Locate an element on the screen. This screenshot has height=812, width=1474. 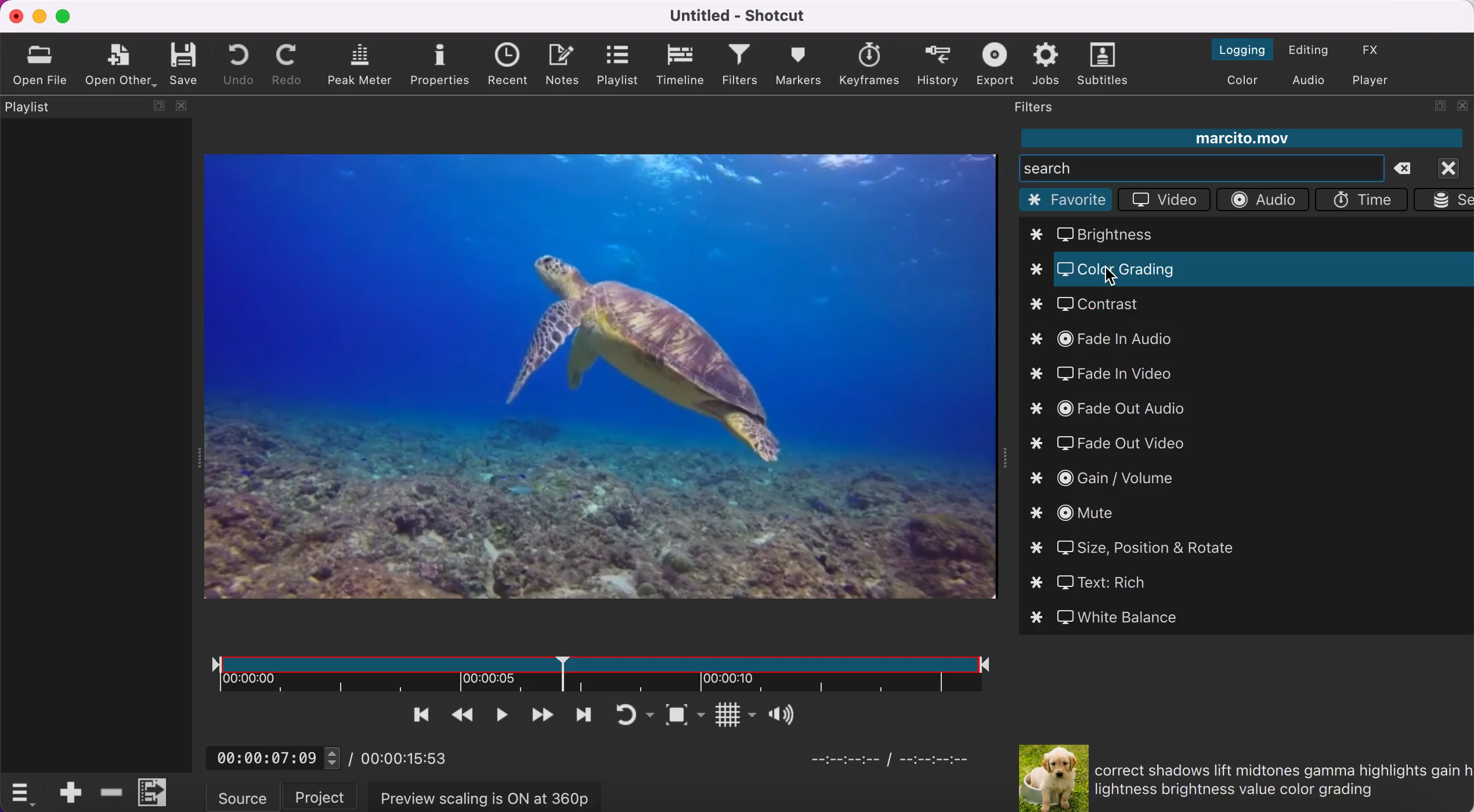
contrast is located at coordinates (1094, 306).